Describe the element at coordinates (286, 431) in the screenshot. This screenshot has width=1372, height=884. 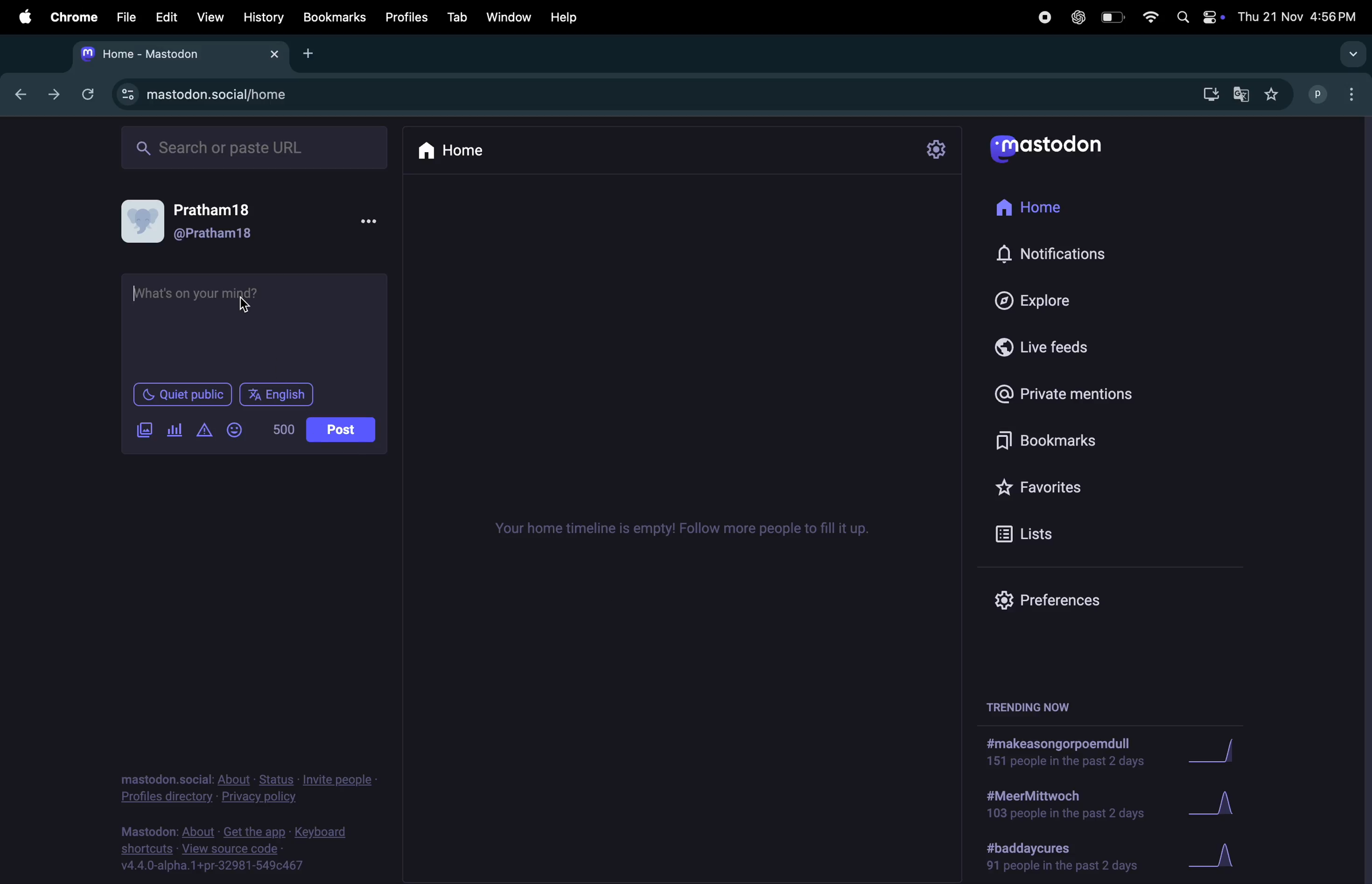
I see `no of words` at that location.